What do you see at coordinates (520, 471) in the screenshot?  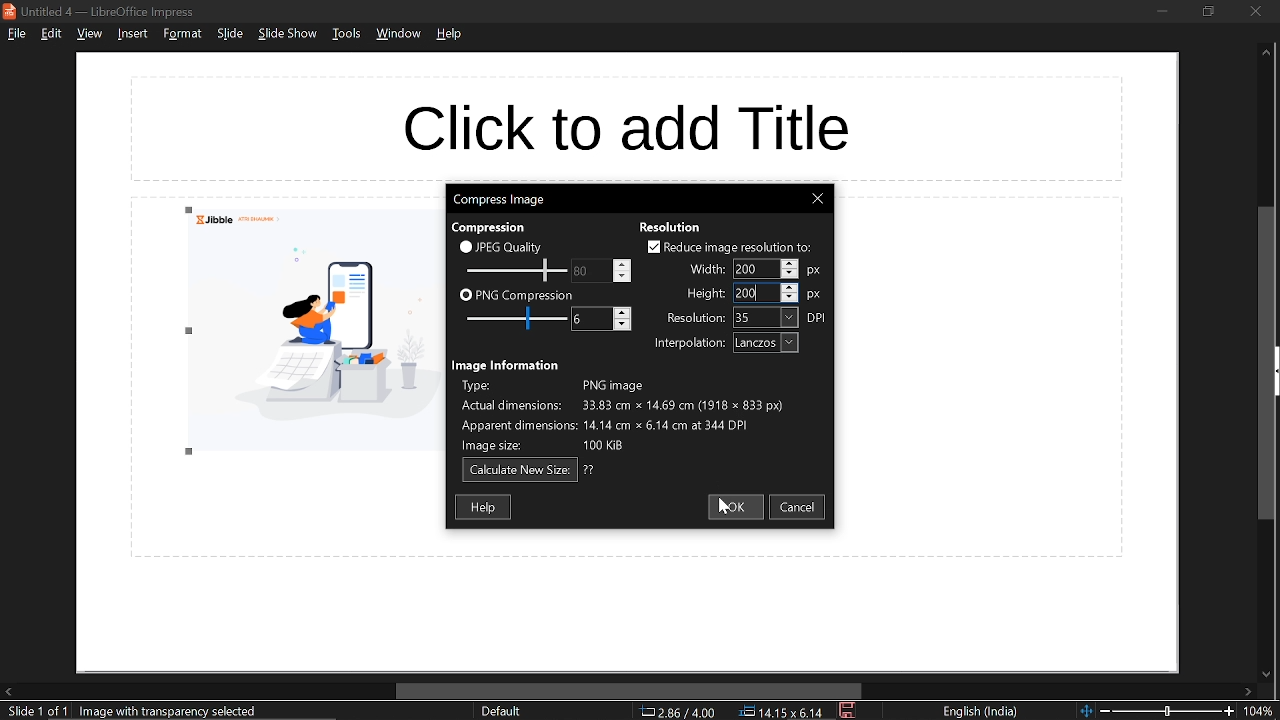 I see `calculate new size` at bounding box center [520, 471].